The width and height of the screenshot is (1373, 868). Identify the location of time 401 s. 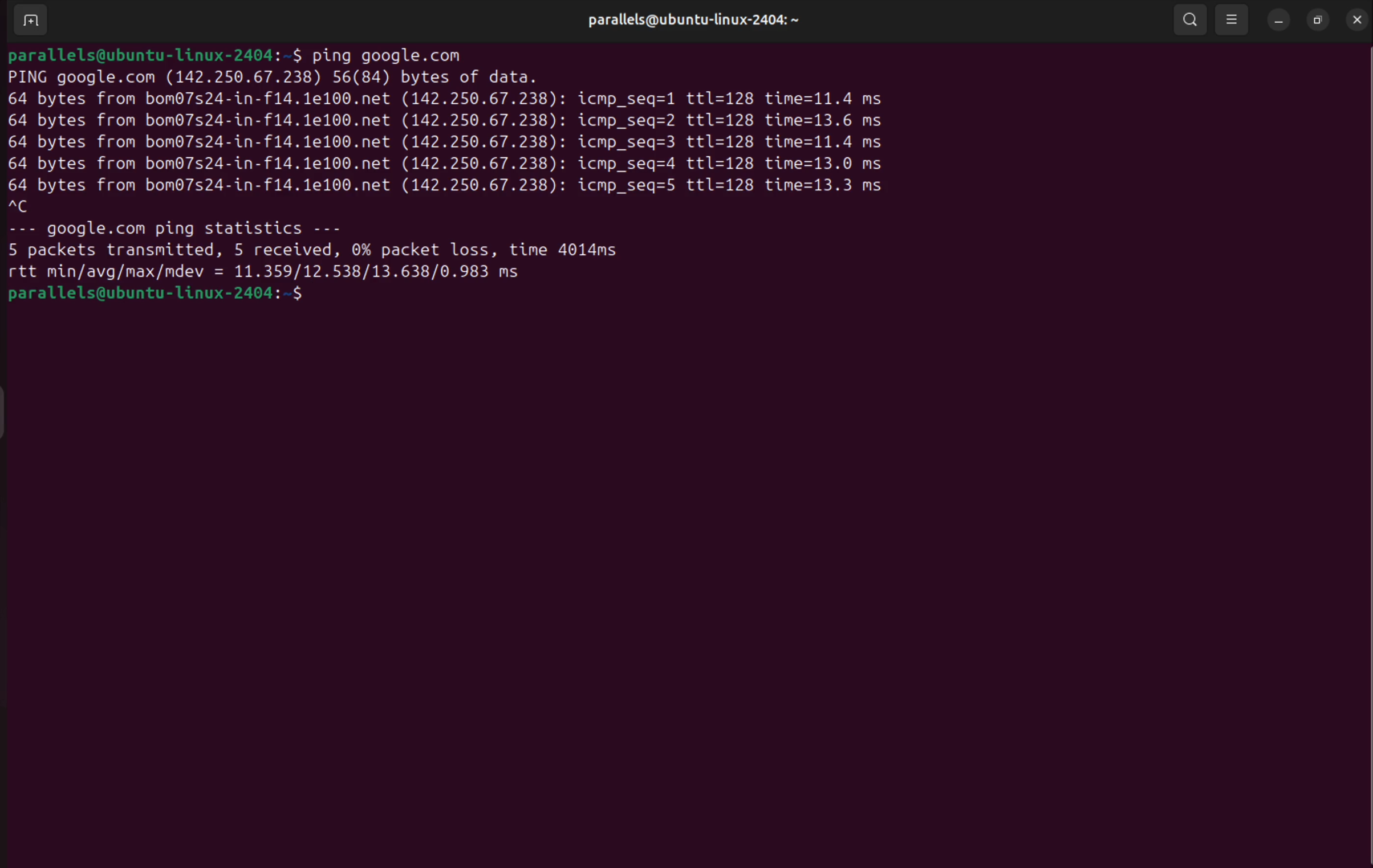
(571, 250).